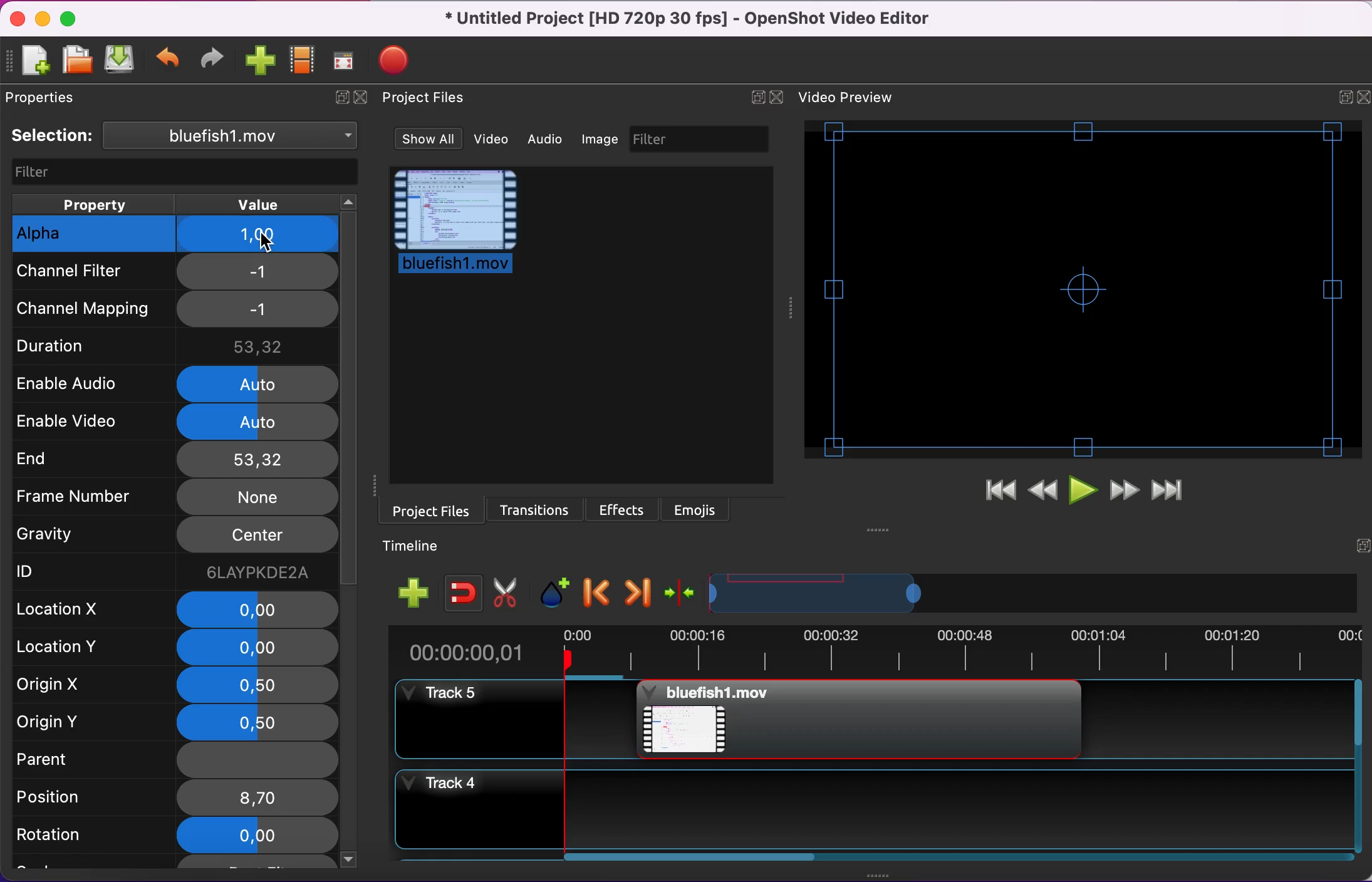 The width and height of the screenshot is (1372, 882). I want to click on audio, so click(551, 140).